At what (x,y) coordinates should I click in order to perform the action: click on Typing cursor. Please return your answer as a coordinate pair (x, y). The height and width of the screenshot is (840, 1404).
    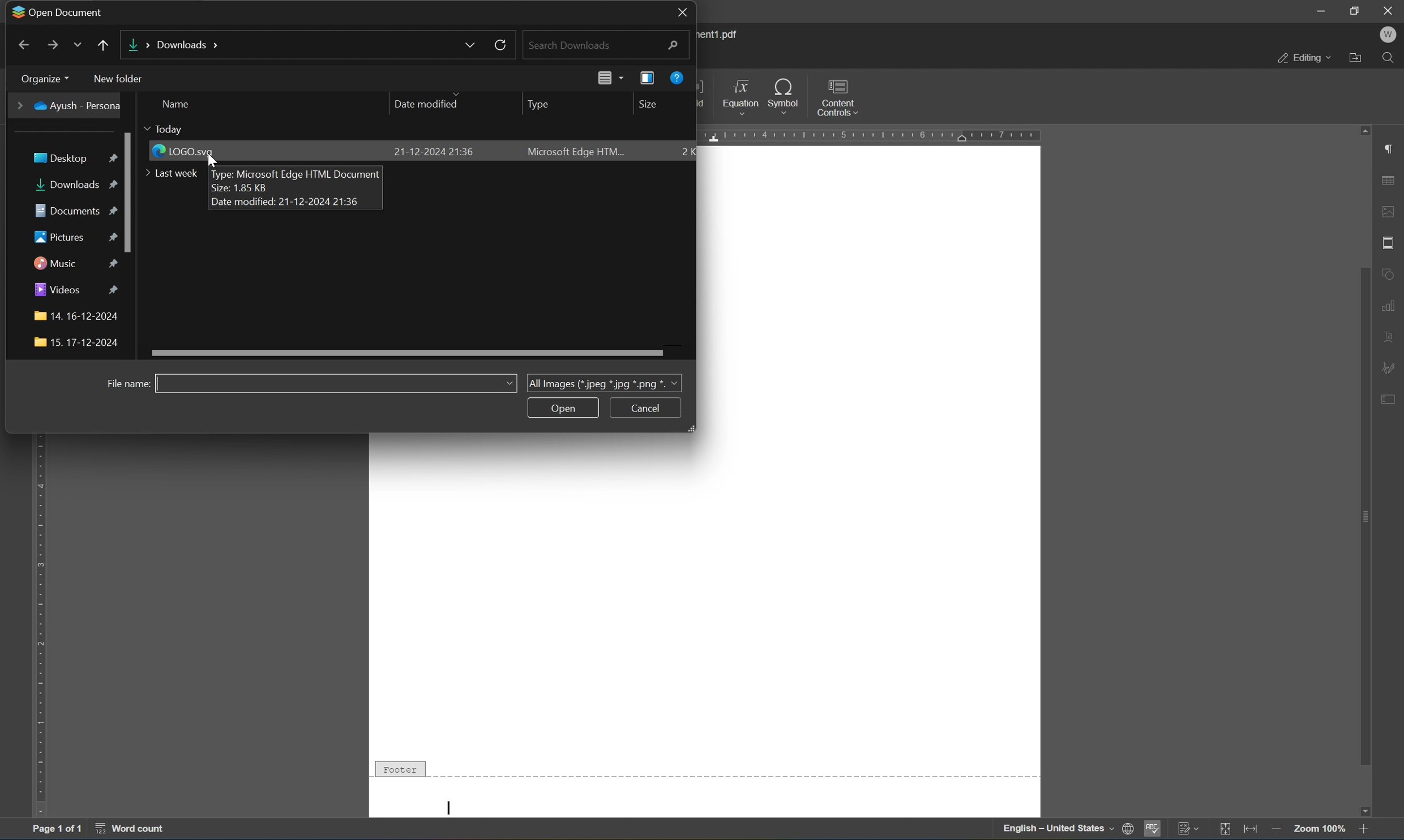
    Looking at the image, I should click on (448, 807).